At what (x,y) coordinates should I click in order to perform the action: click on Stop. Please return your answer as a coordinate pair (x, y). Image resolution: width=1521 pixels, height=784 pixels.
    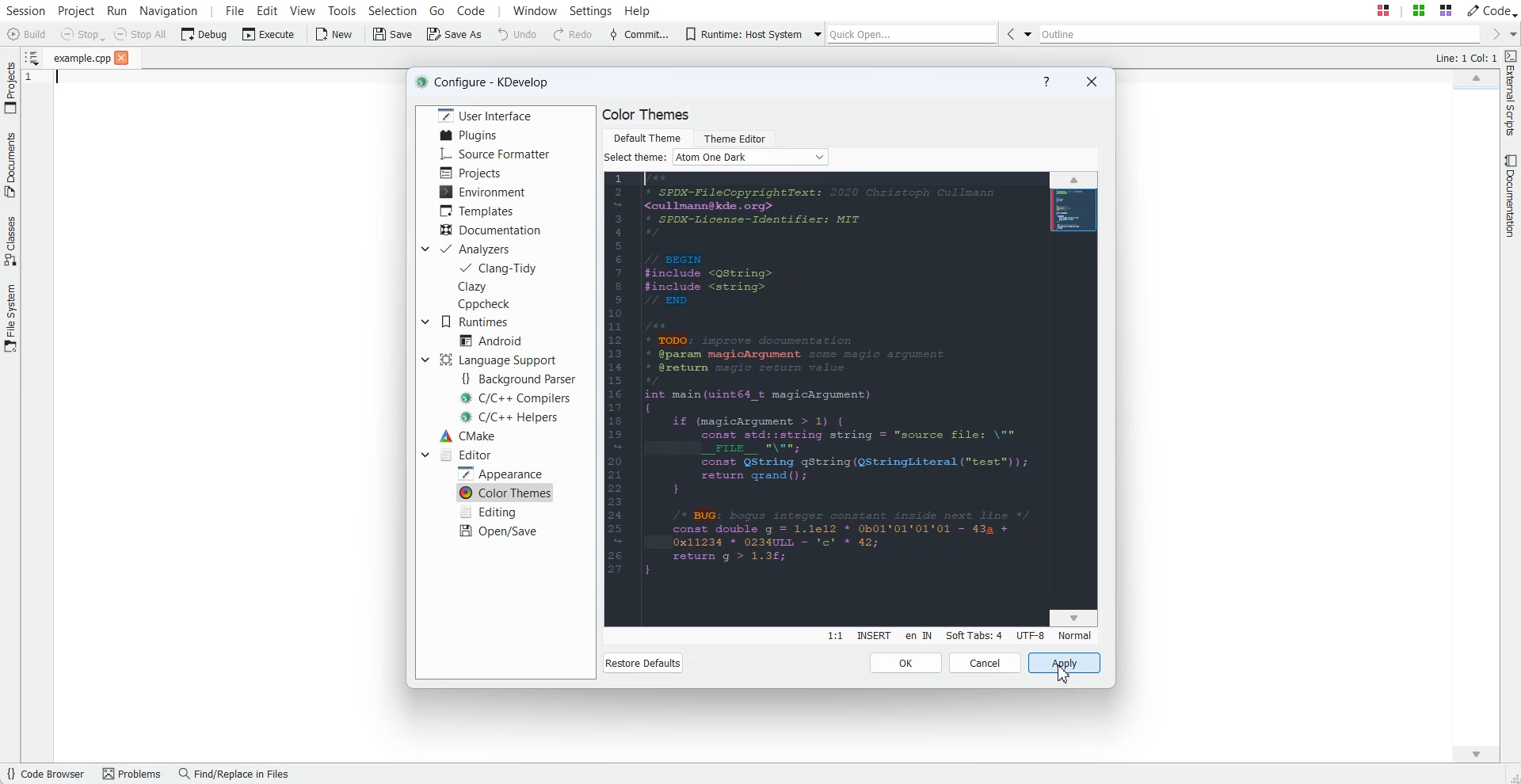
    Looking at the image, I should click on (82, 35).